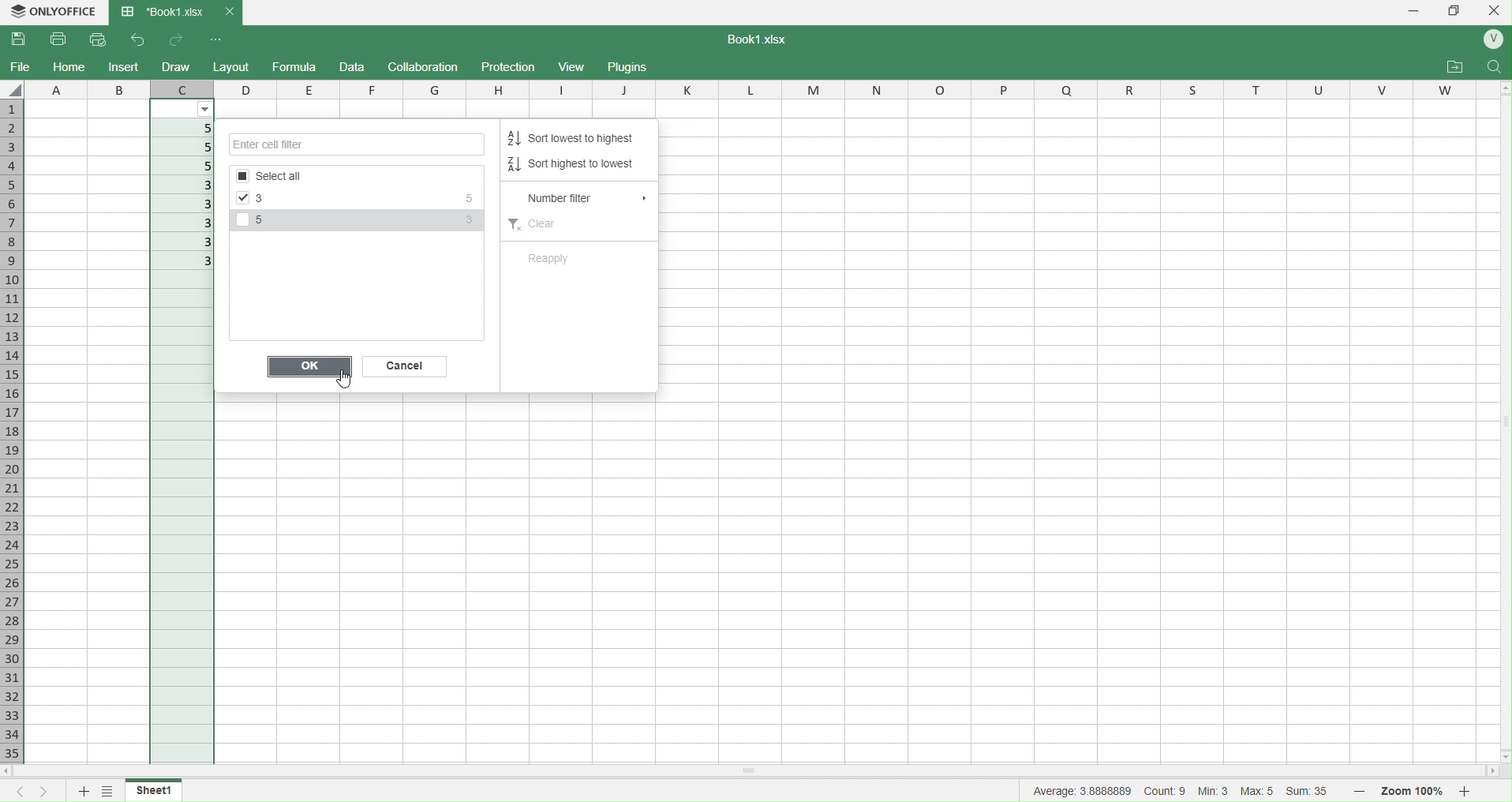 The image size is (1512, 802). Describe the element at coordinates (462, 200) in the screenshot. I see `5` at that location.